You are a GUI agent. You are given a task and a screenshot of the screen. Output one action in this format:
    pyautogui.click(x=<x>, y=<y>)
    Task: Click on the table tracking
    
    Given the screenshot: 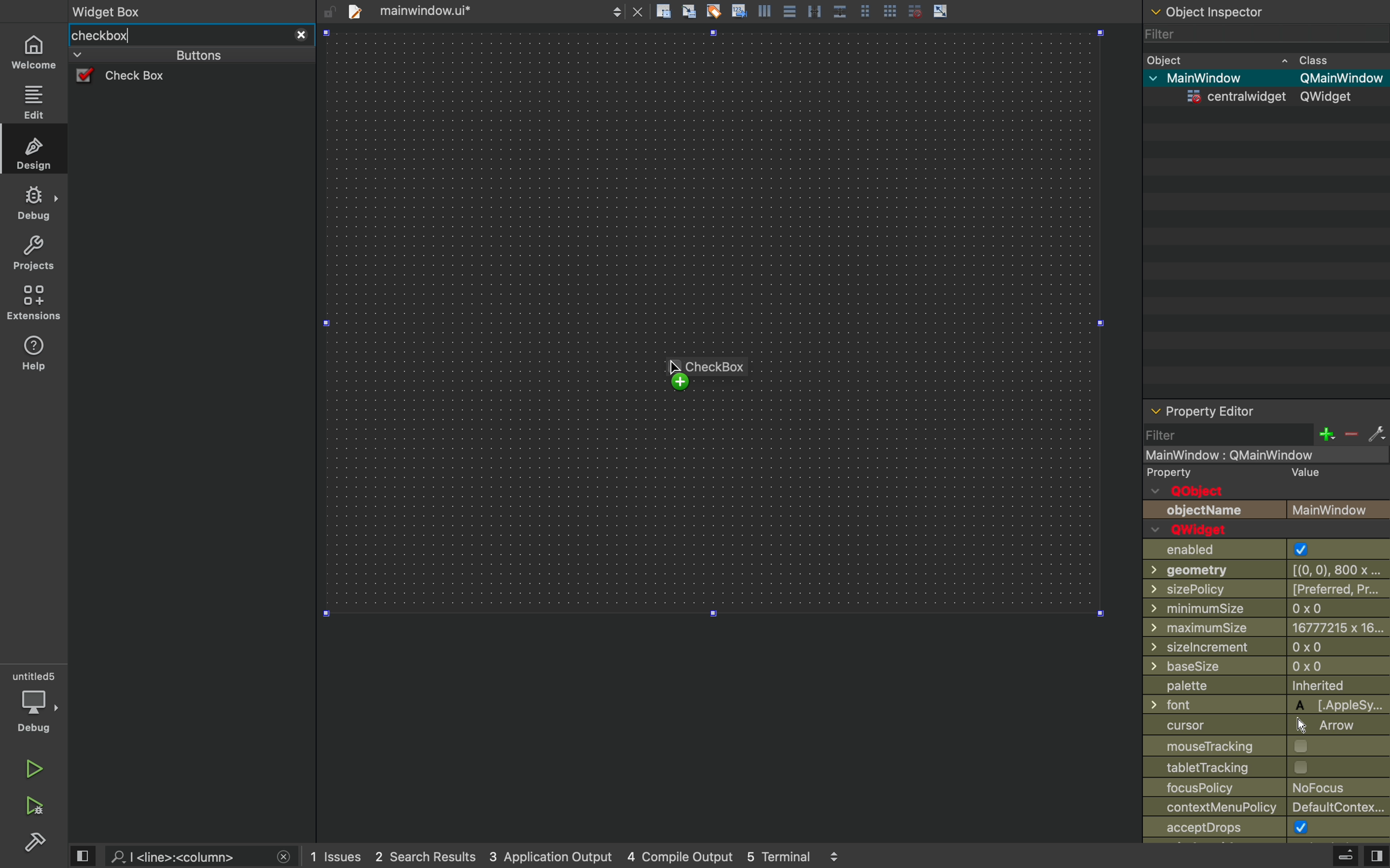 What is the action you would take?
    pyautogui.click(x=1231, y=767)
    